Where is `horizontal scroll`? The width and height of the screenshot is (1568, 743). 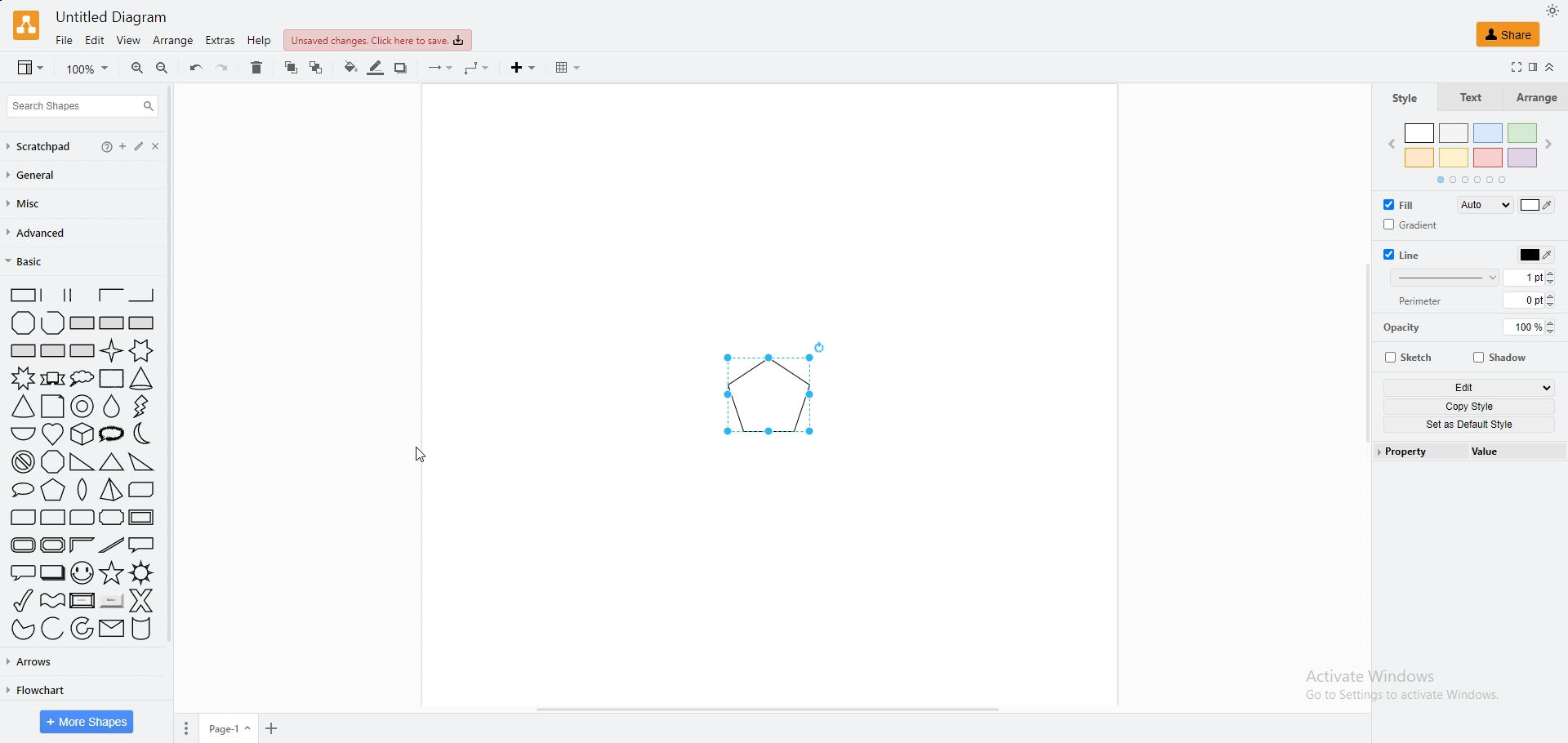
horizontal scroll is located at coordinates (769, 707).